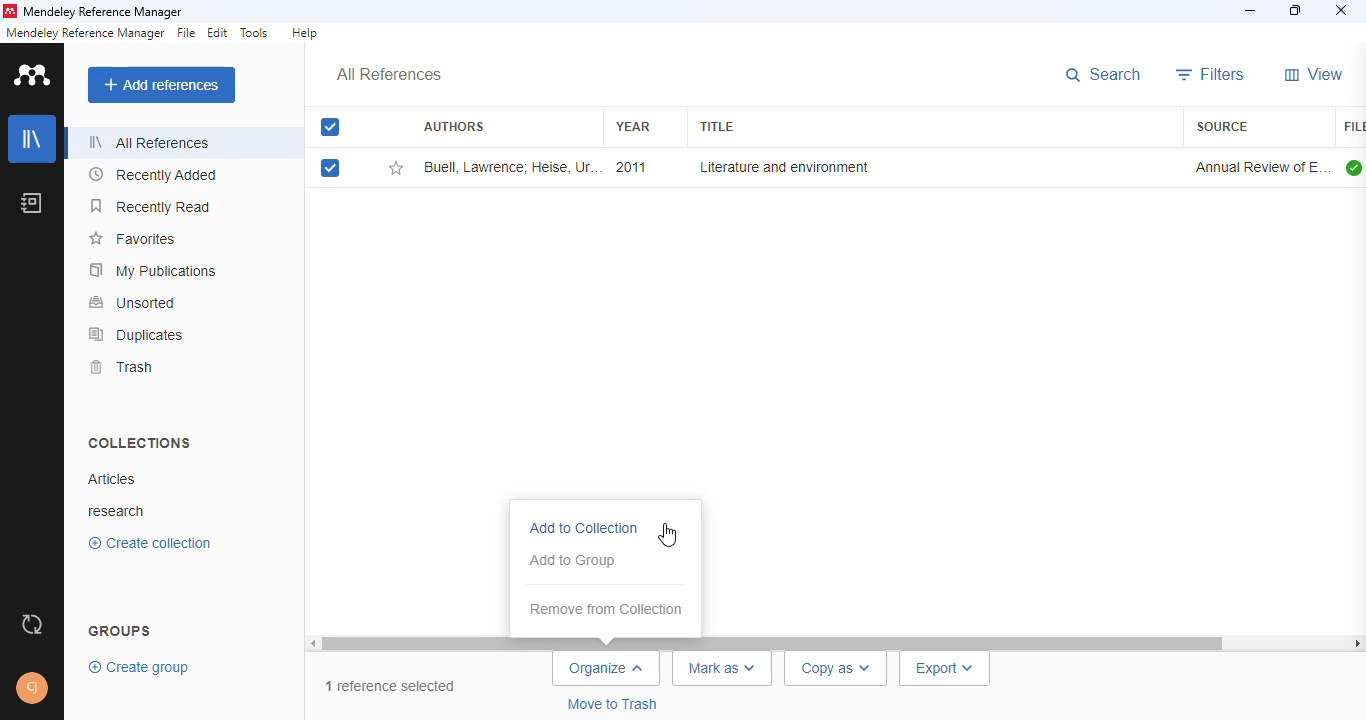  Describe the element at coordinates (85, 33) in the screenshot. I see `mendeley reference manager` at that location.